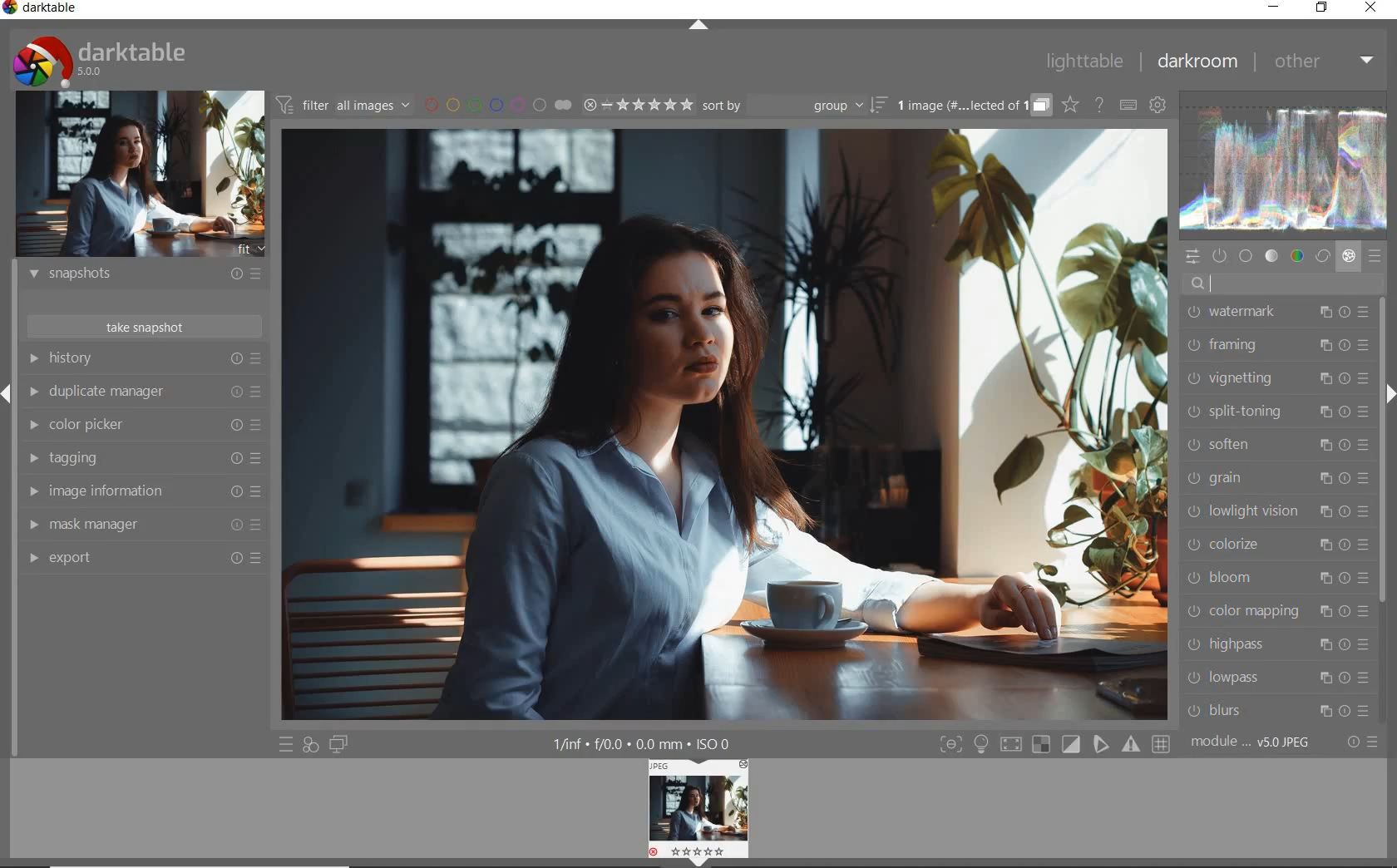  What do you see at coordinates (144, 393) in the screenshot?
I see `duplicate manager` at bounding box center [144, 393].